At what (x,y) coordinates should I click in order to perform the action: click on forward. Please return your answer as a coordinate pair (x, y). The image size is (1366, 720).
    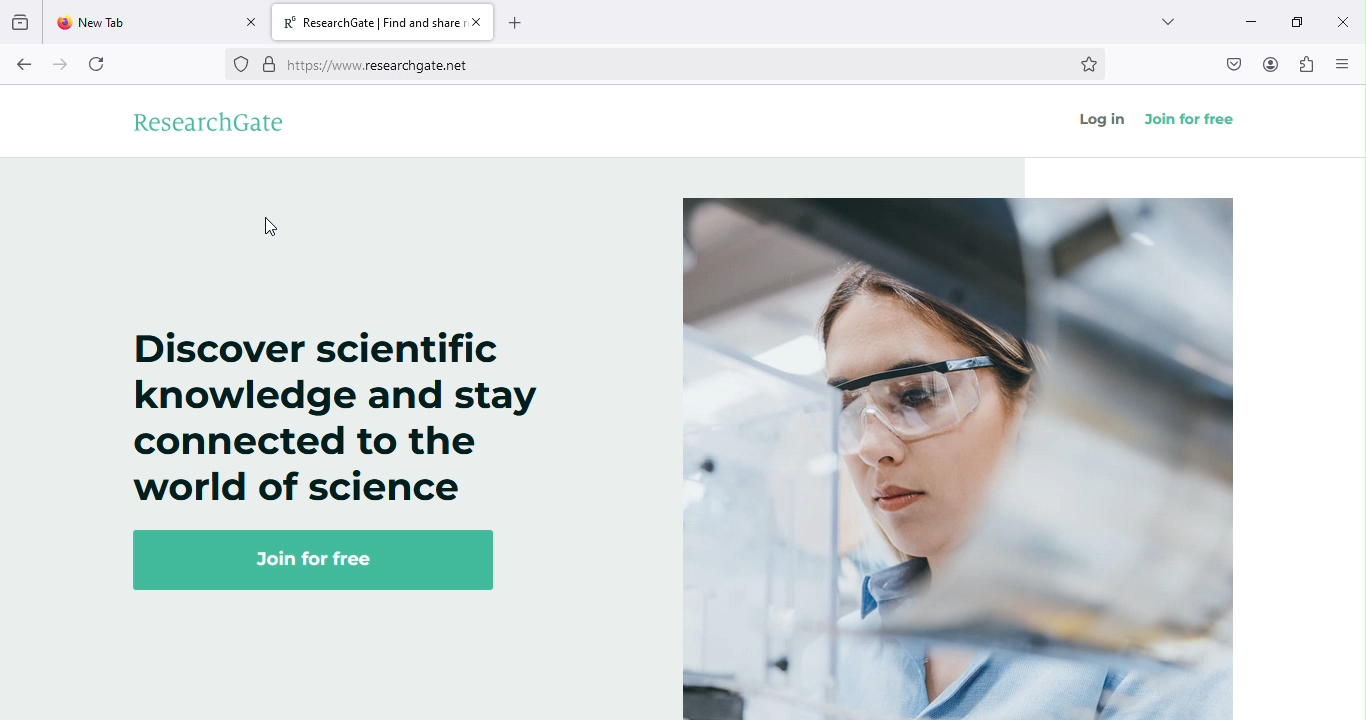
    Looking at the image, I should click on (59, 65).